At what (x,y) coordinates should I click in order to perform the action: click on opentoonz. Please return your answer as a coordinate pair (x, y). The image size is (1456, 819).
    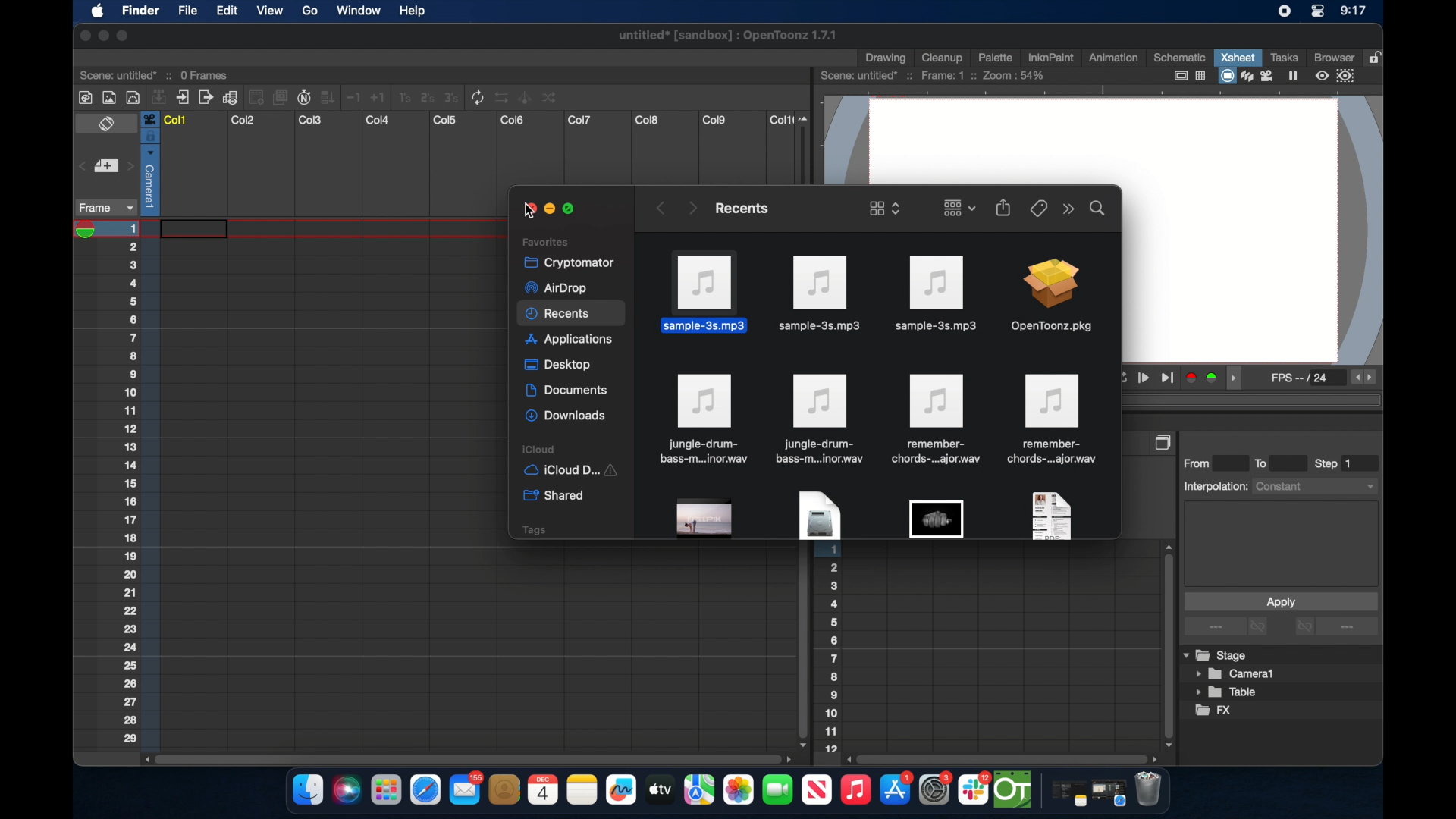
    Looking at the image, I should click on (1014, 790).